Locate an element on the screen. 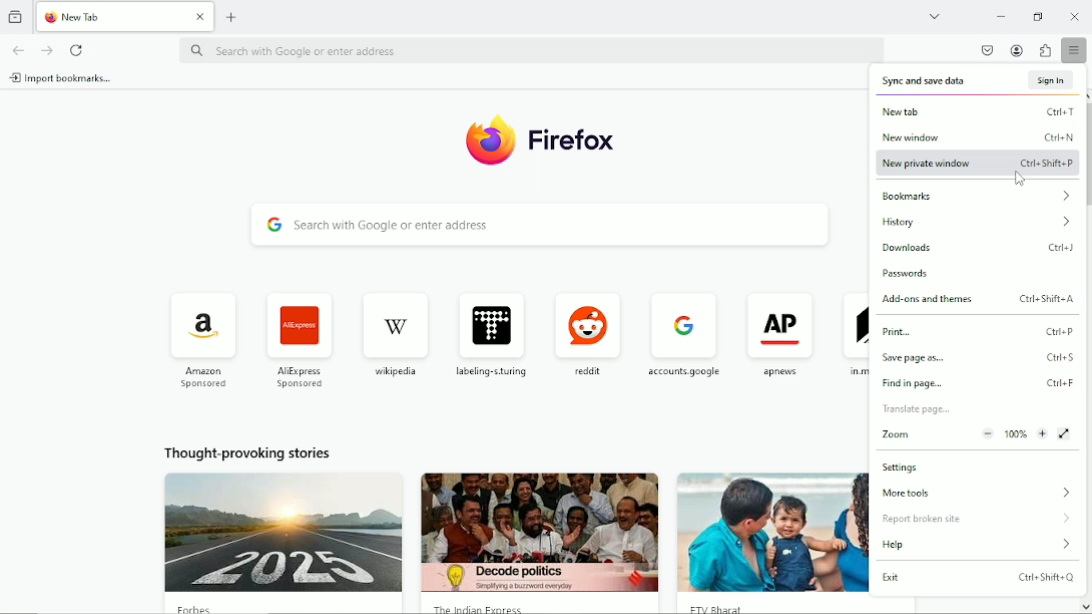 This screenshot has width=1092, height=614. Image is located at coordinates (544, 540).